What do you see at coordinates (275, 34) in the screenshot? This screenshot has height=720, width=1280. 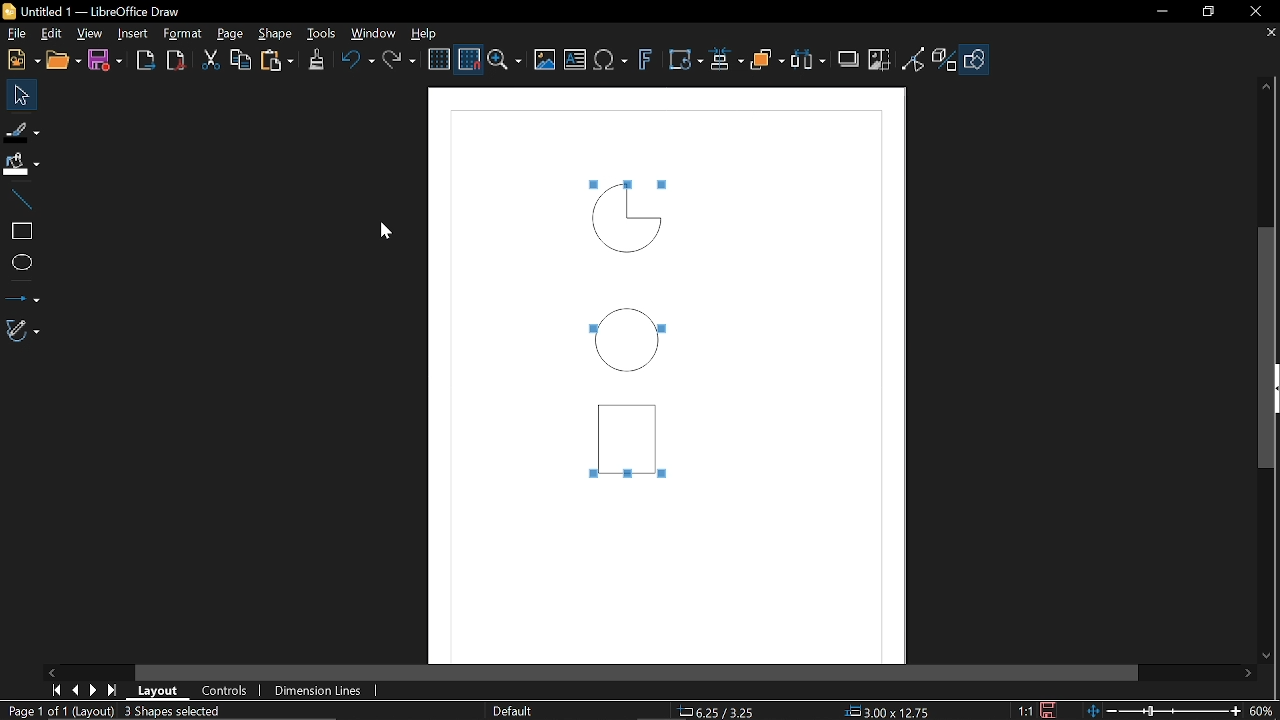 I see `Shape` at bounding box center [275, 34].